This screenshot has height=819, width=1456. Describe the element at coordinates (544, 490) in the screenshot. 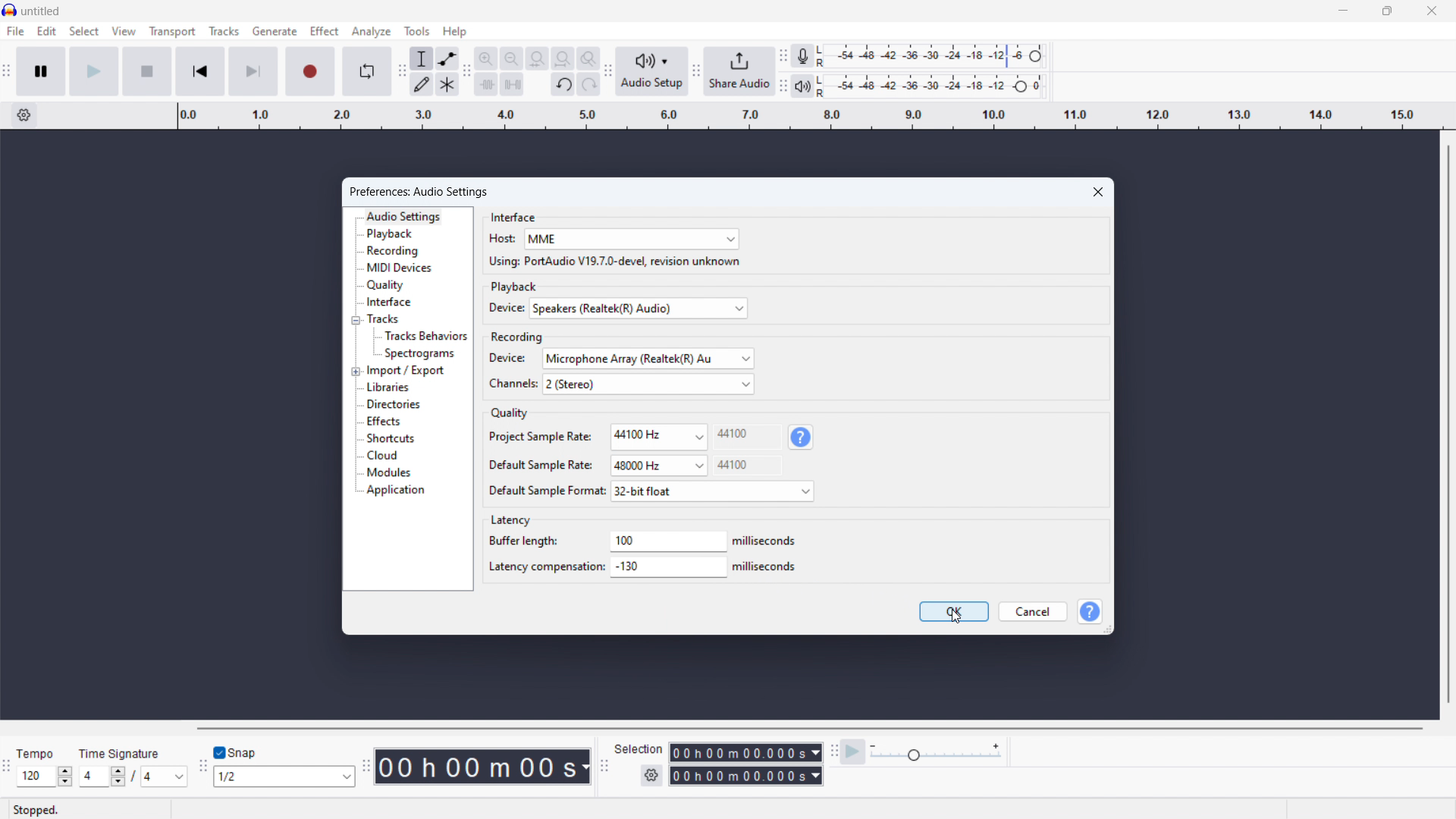

I see `Default sample format` at that location.